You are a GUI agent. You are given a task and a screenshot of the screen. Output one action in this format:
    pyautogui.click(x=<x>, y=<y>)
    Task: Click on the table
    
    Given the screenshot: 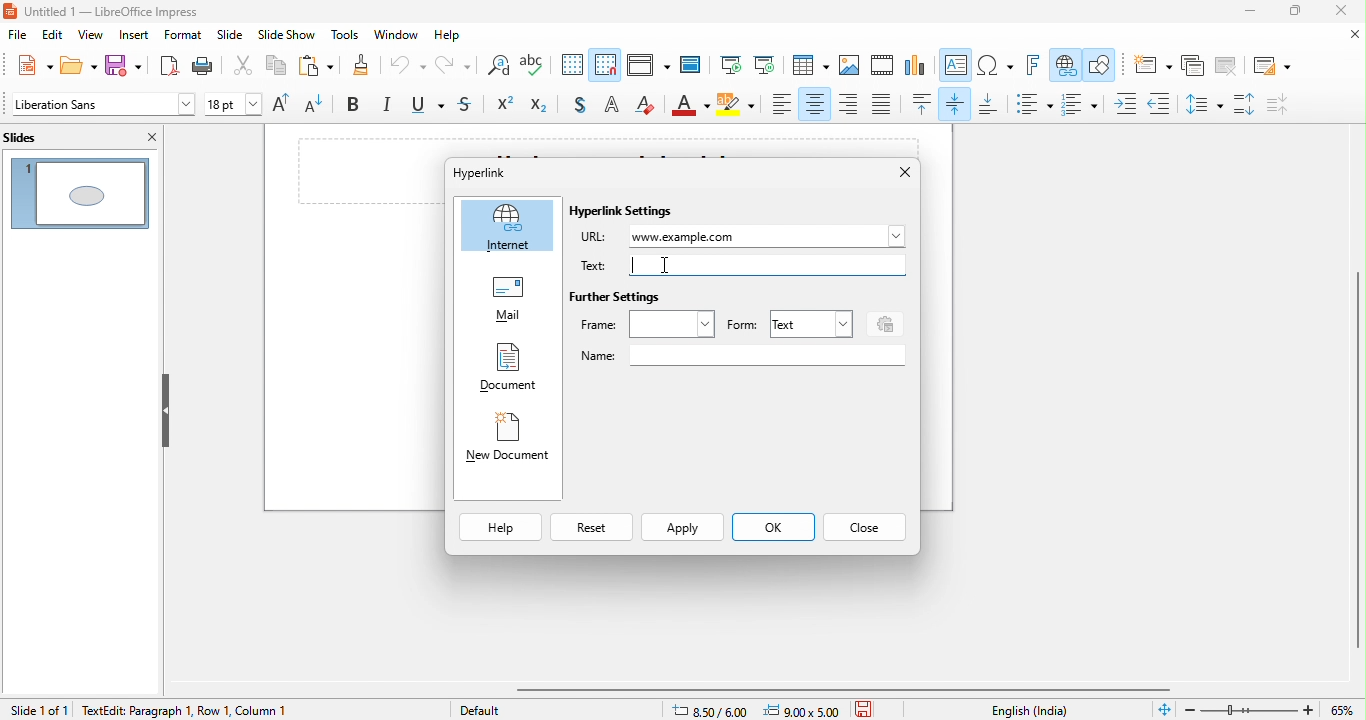 What is the action you would take?
    pyautogui.click(x=810, y=66)
    